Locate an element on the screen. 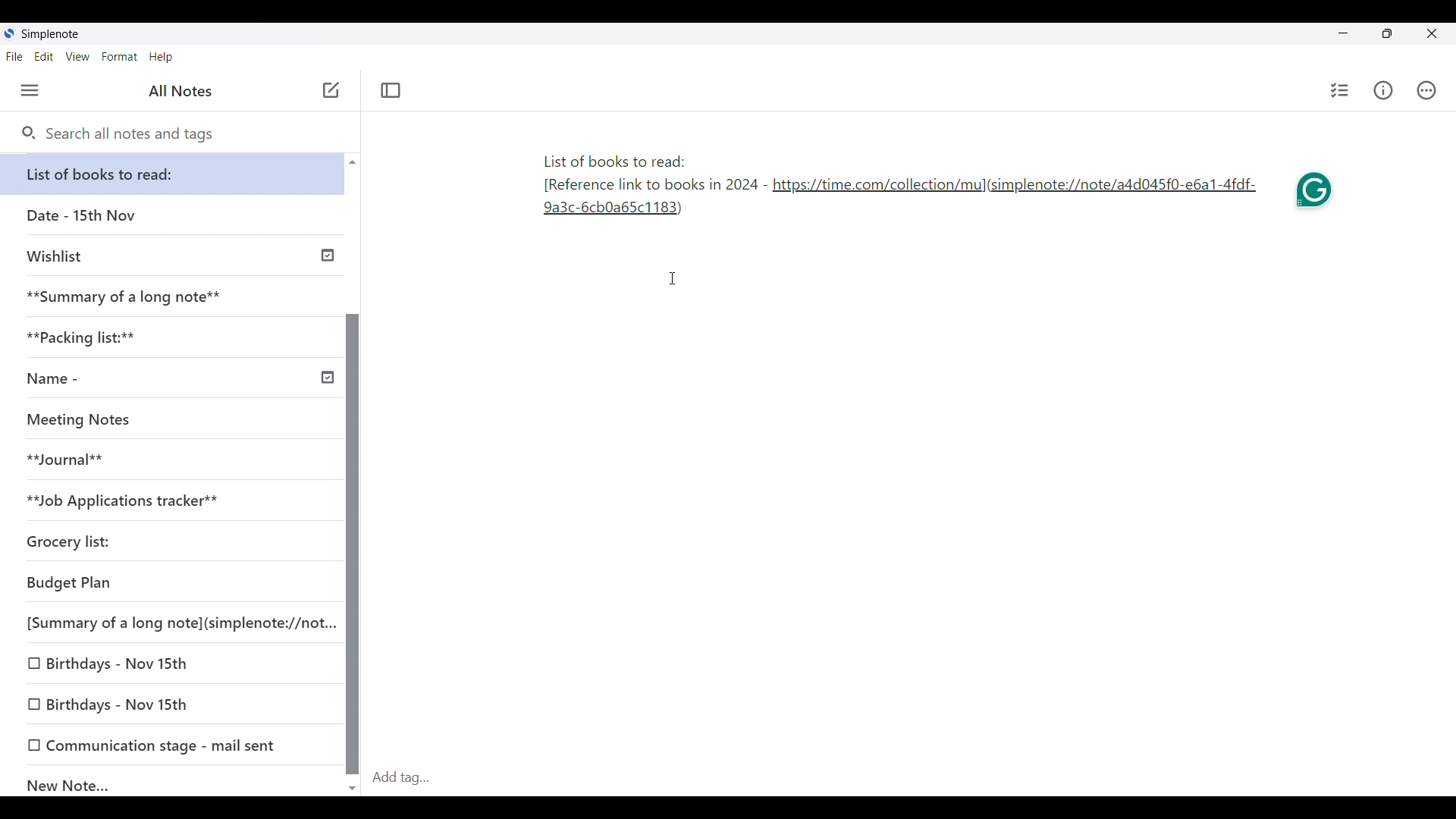  Help  is located at coordinates (162, 58).